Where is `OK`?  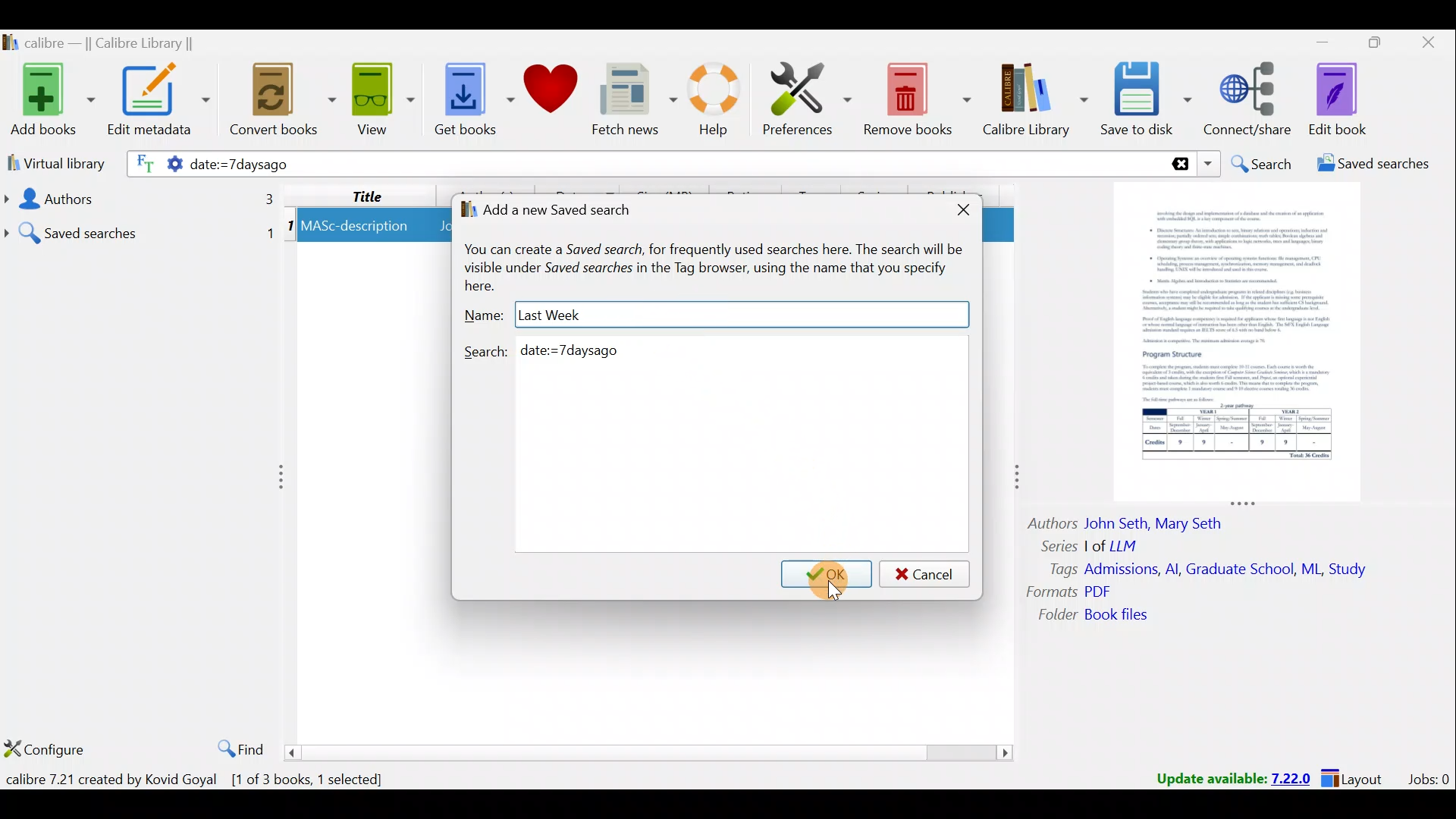 OK is located at coordinates (827, 573).